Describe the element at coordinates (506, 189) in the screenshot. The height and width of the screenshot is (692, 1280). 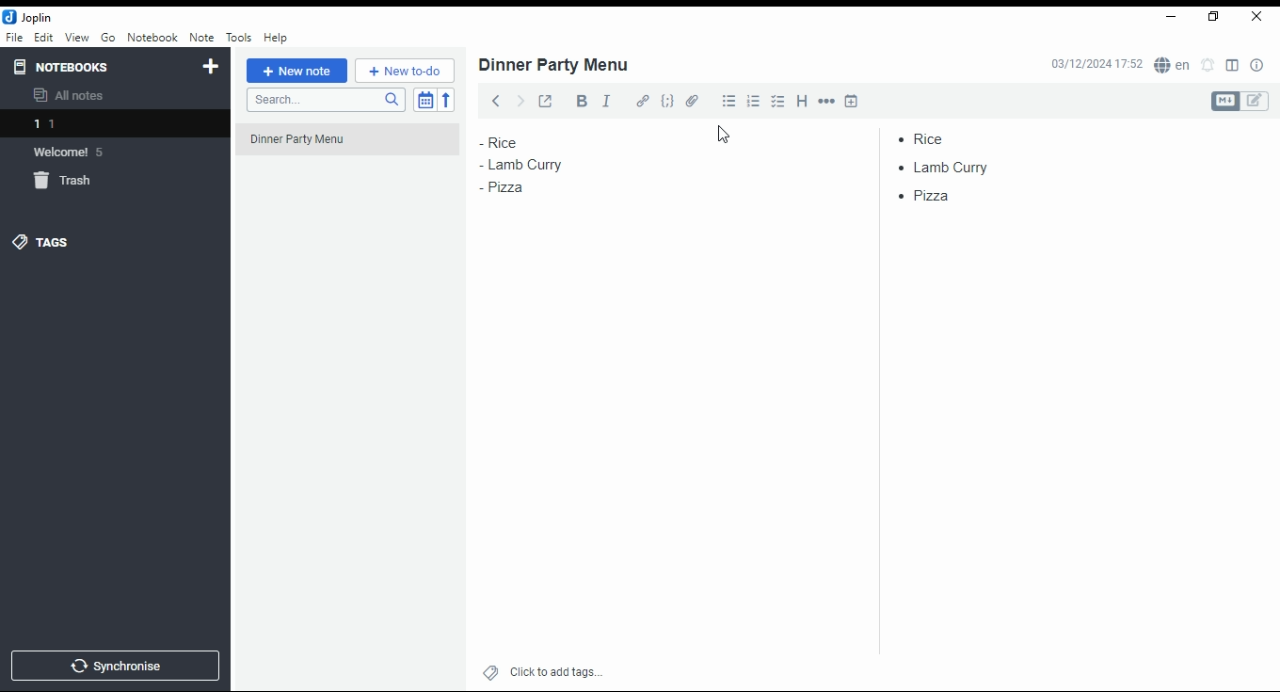
I see `pizza` at that location.